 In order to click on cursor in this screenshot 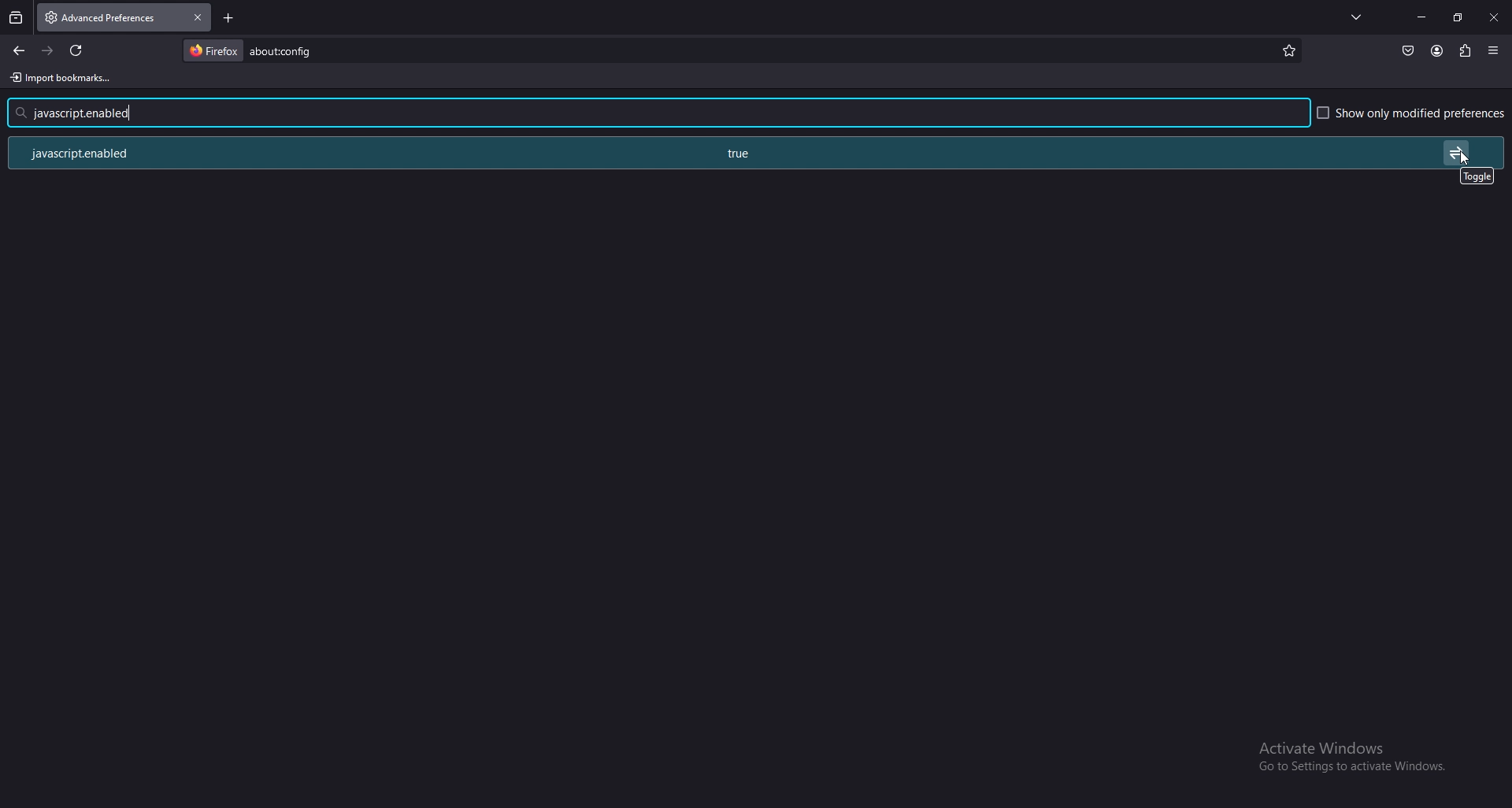, I will do `click(1464, 162)`.